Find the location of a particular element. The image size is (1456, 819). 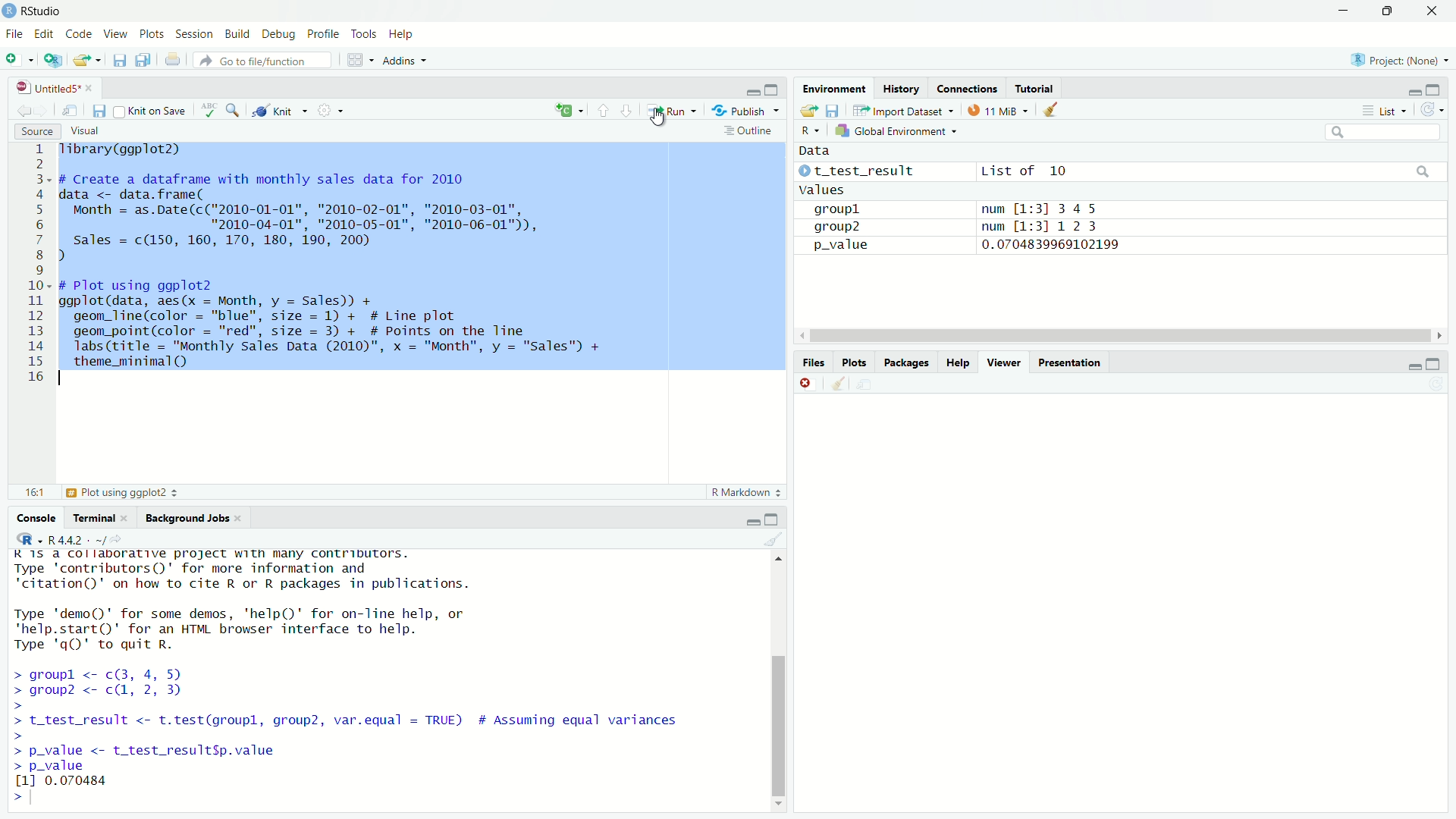

Tutorial is located at coordinates (1035, 86).